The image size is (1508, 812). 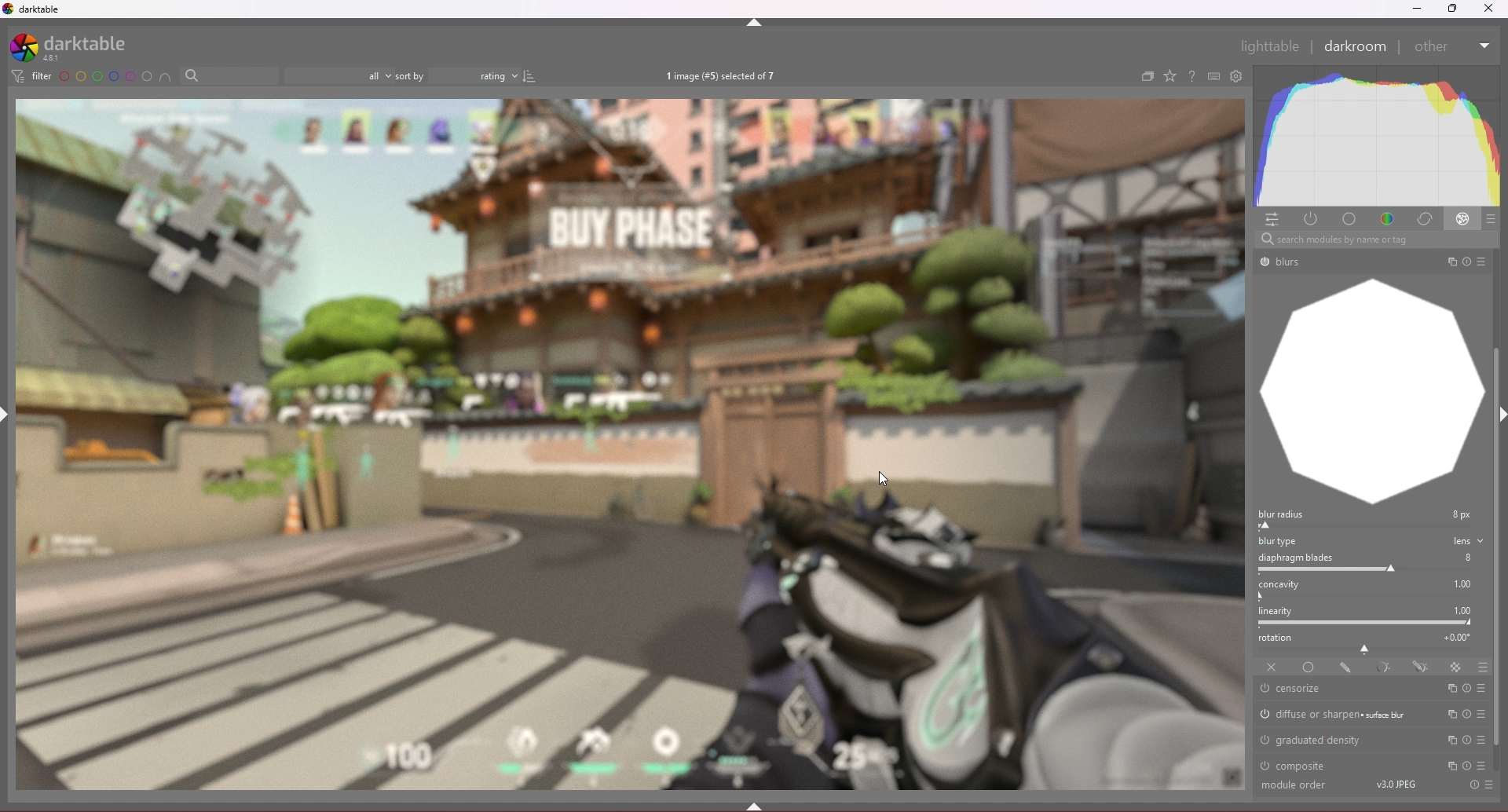 I want to click on blur type, so click(x=1372, y=541).